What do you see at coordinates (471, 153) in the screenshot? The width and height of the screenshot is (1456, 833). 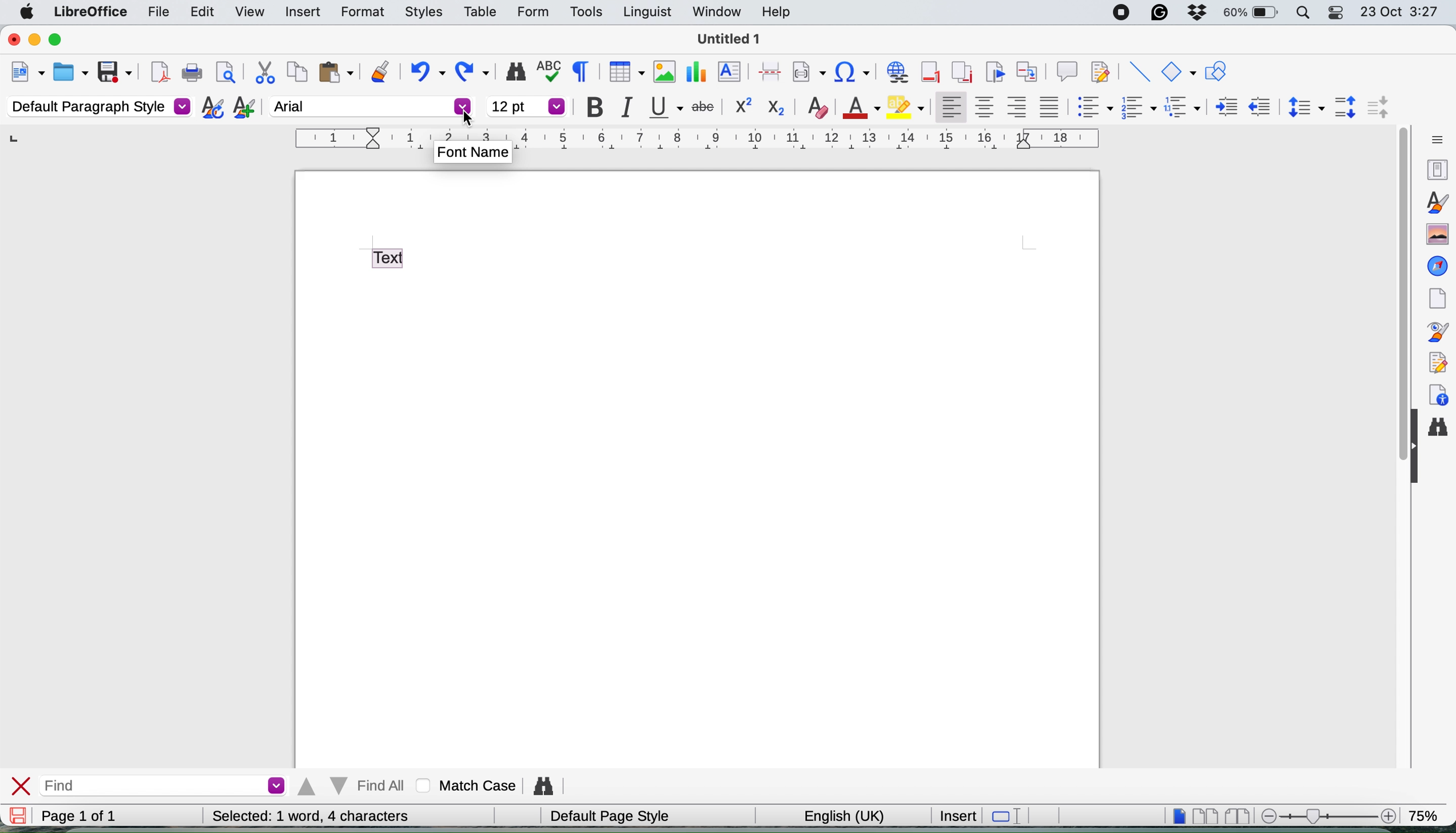 I see `Font Name` at bounding box center [471, 153].